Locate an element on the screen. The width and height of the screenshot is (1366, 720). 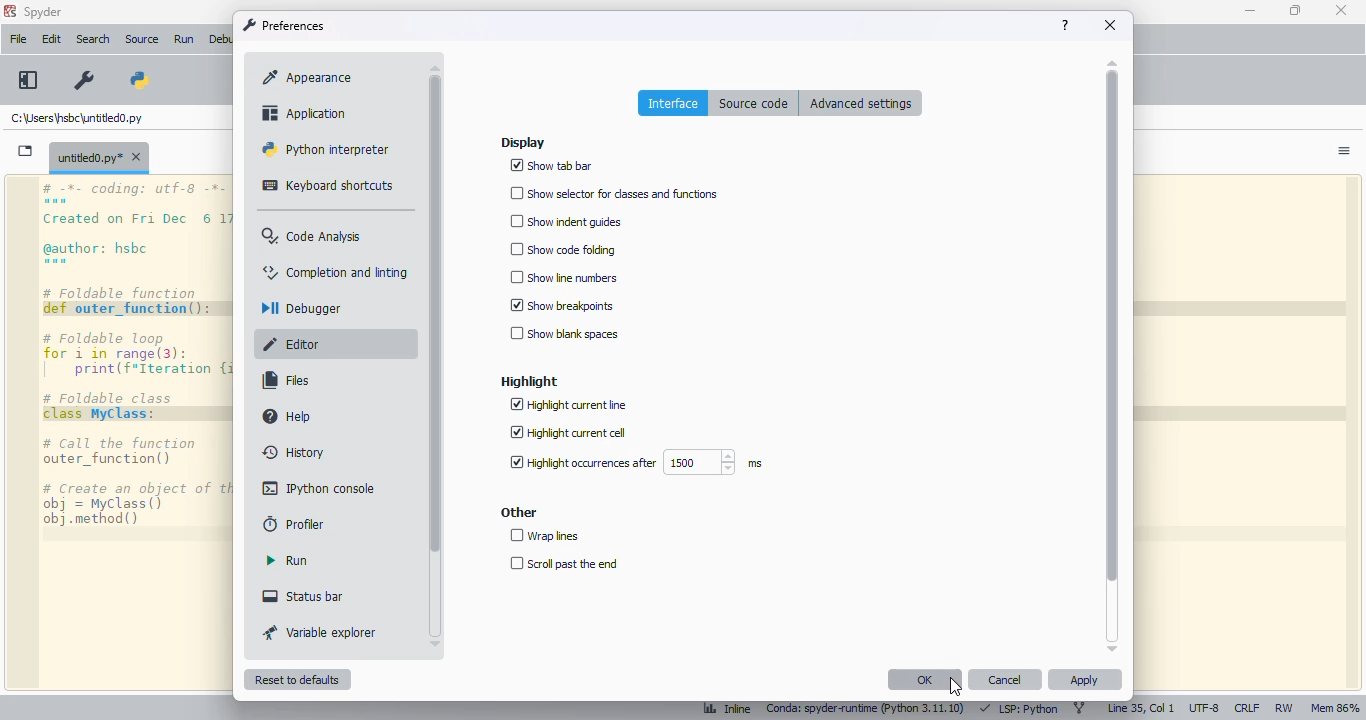
conda: spyder-runtime (python 3. 11. 10) is located at coordinates (869, 710).